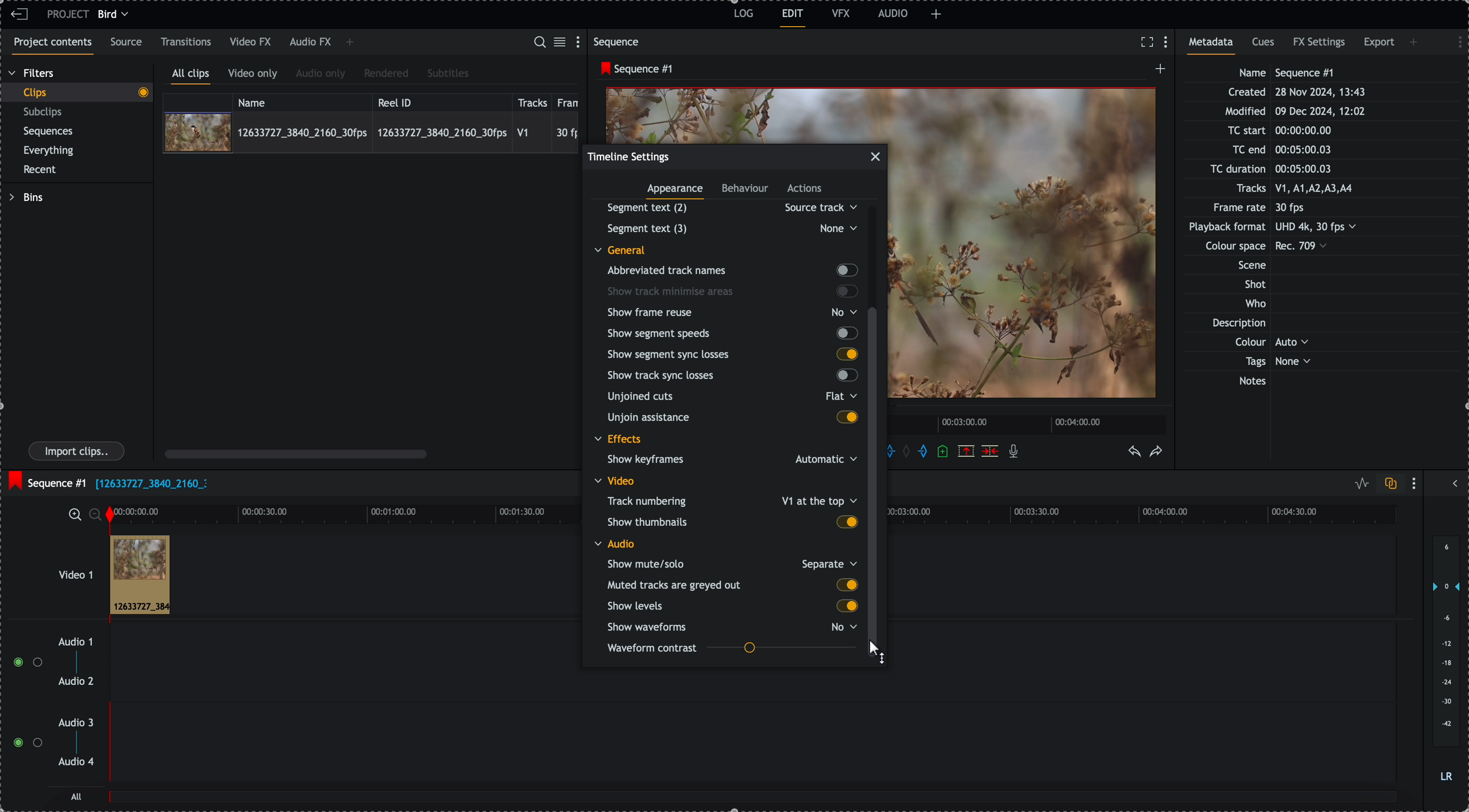  What do you see at coordinates (1359, 484) in the screenshot?
I see `toggle audio levels editing` at bounding box center [1359, 484].